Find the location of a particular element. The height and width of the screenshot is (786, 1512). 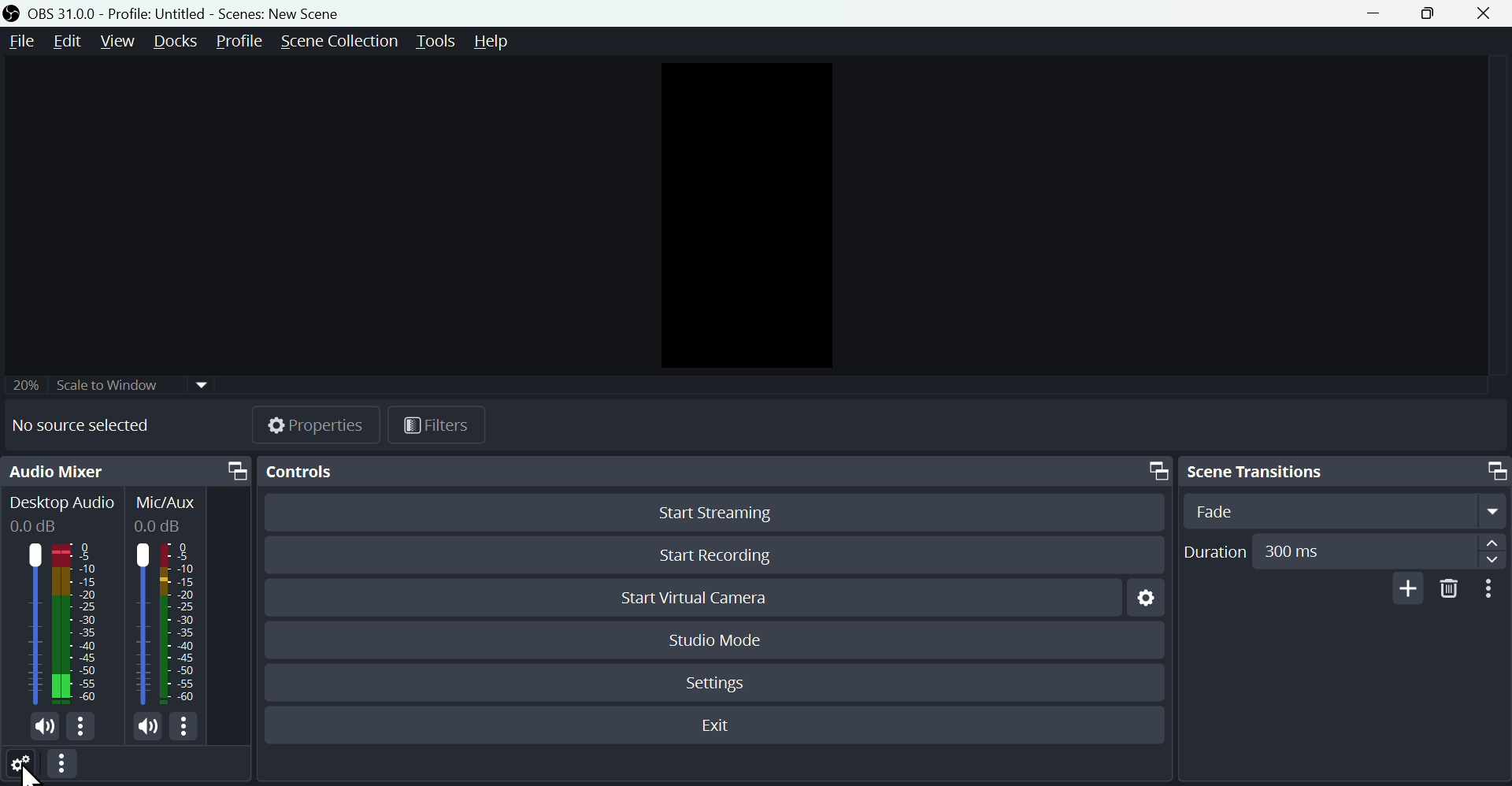

No source selected is located at coordinates (98, 425).